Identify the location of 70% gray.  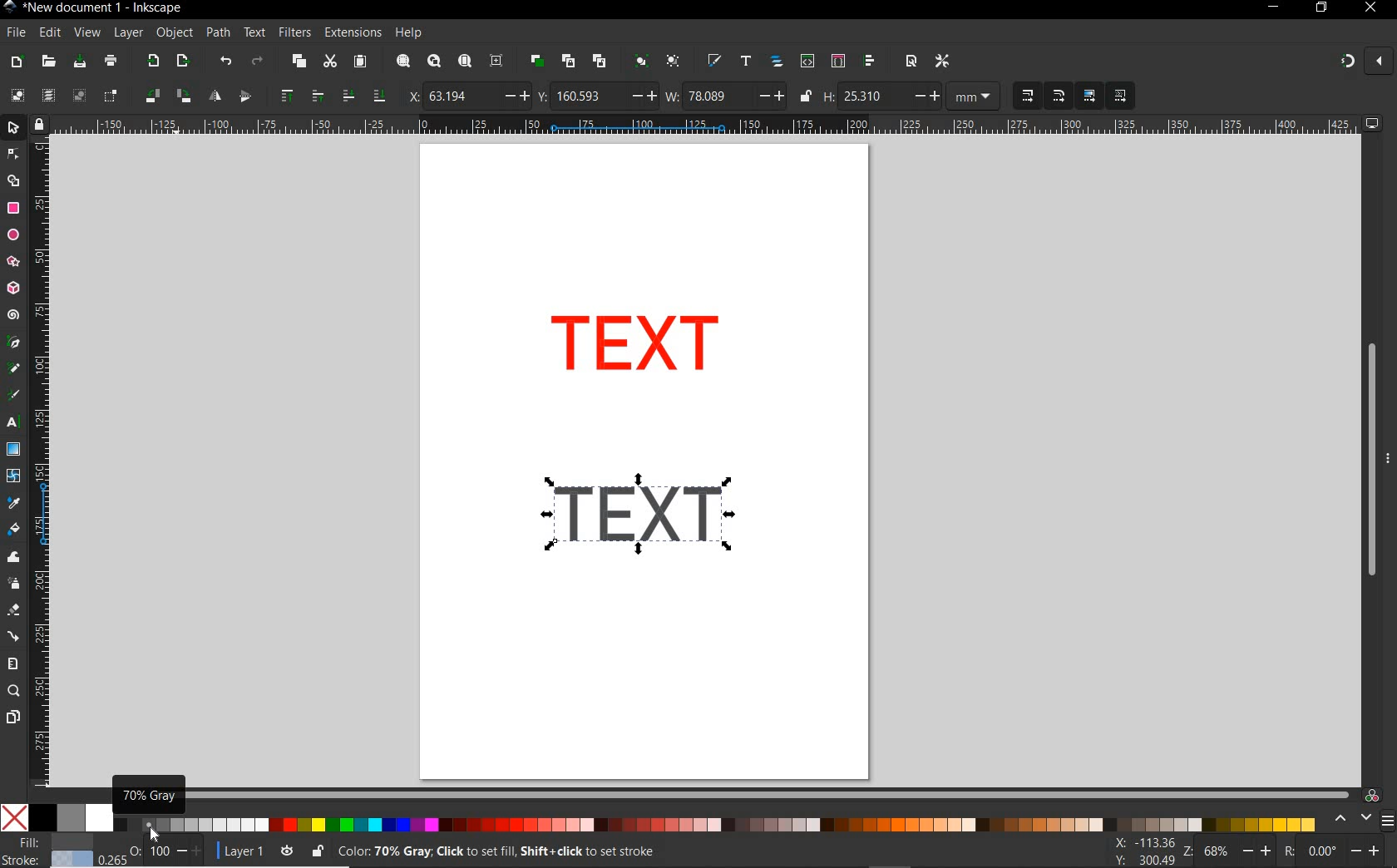
(148, 790).